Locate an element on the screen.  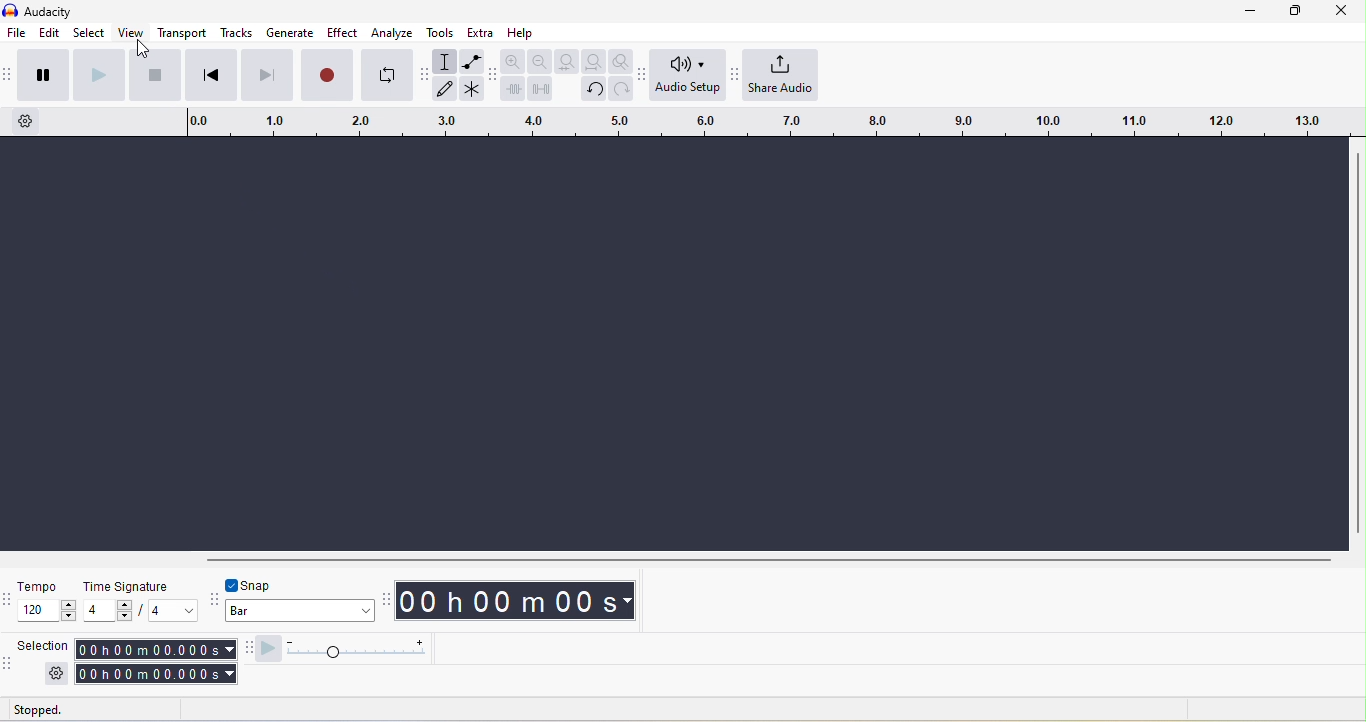
close is located at coordinates (1342, 11).